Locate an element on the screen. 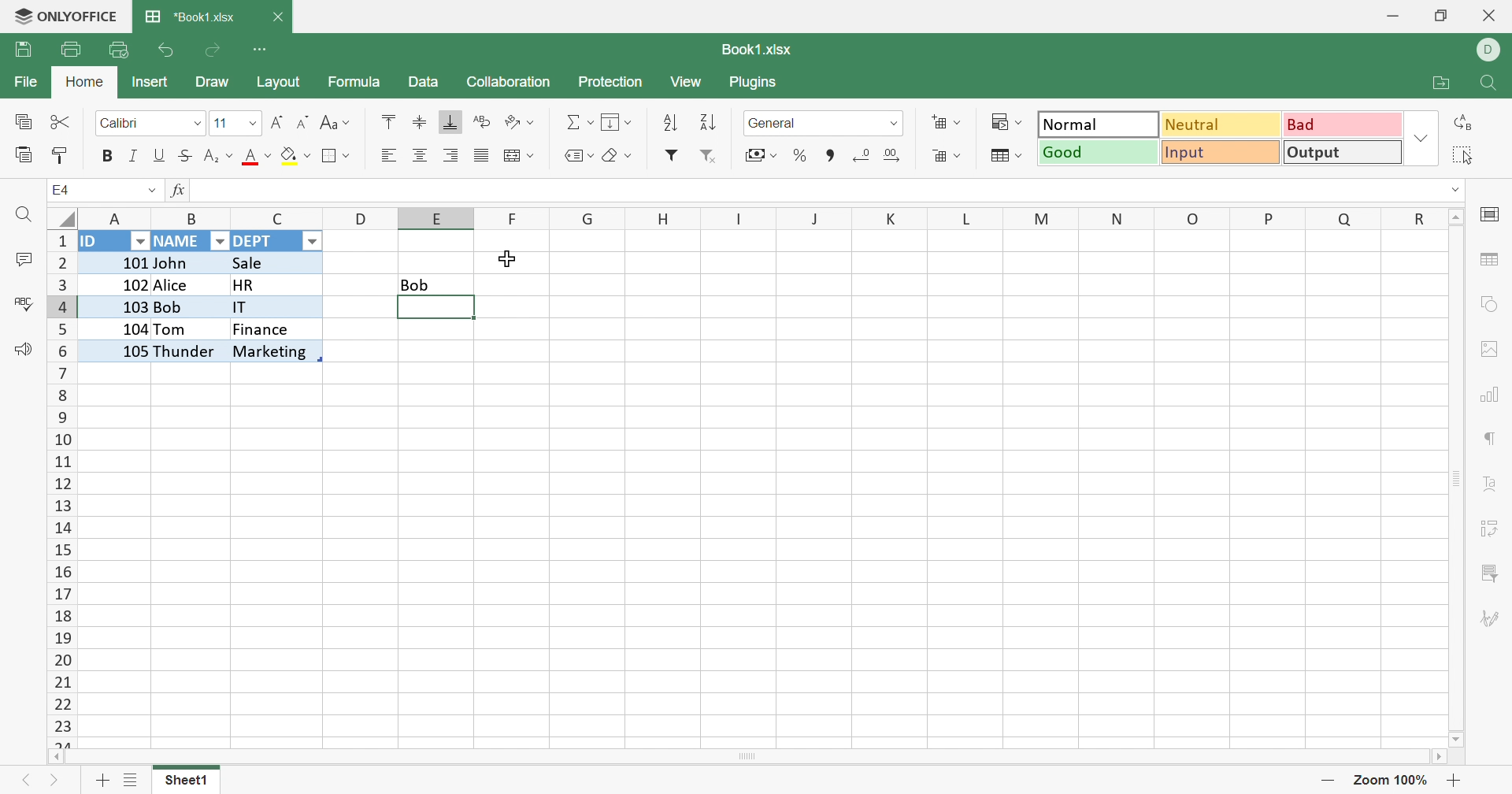 This screenshot has width=1512, height=794. table settings is located at coordinates (1490, 260).